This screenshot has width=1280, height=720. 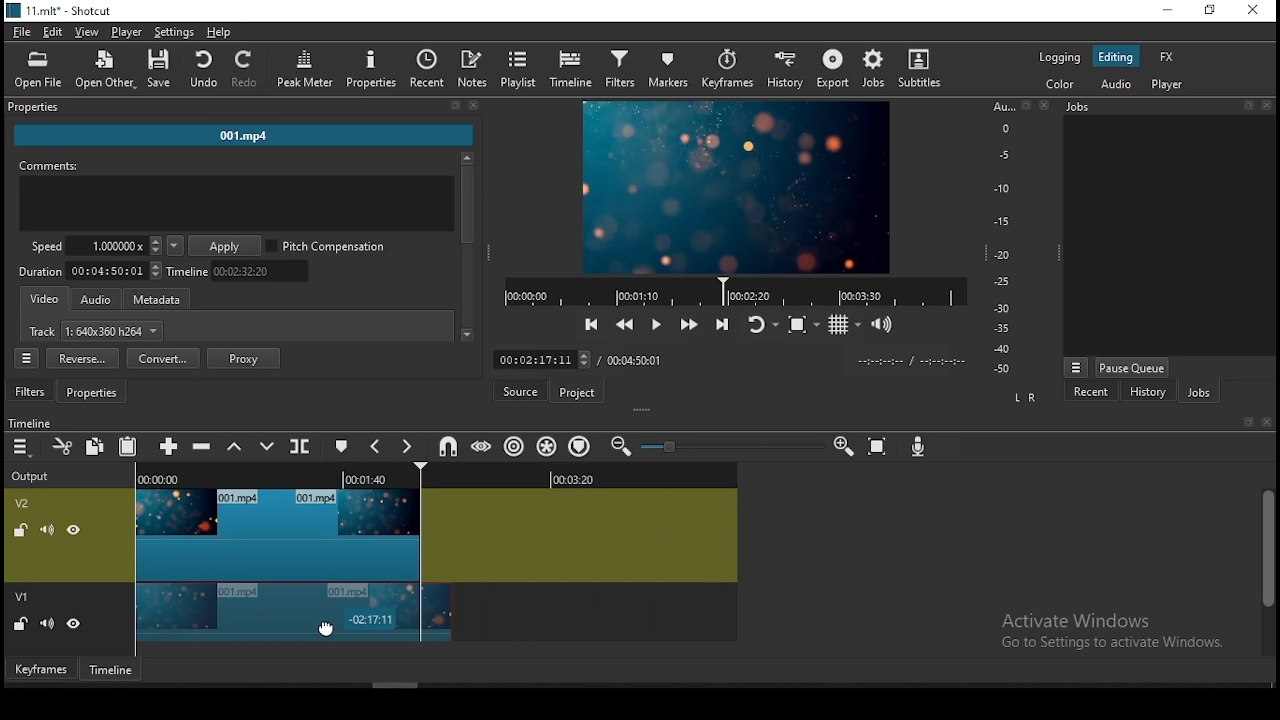 I want to click on TIME, so click(x=911, y=361).